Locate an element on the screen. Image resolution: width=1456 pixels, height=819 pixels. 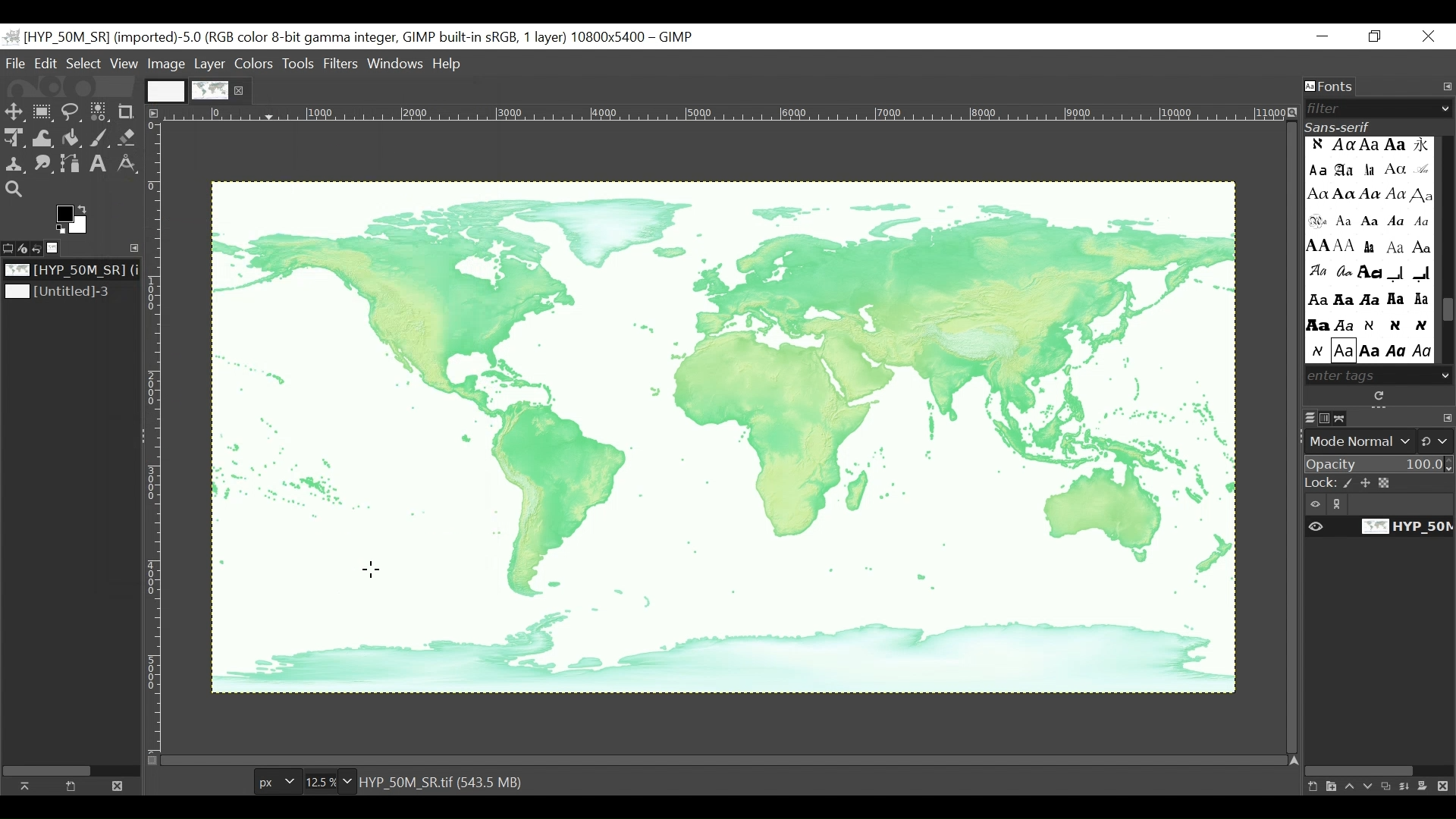
Windows is located at coordinates (397, 61).